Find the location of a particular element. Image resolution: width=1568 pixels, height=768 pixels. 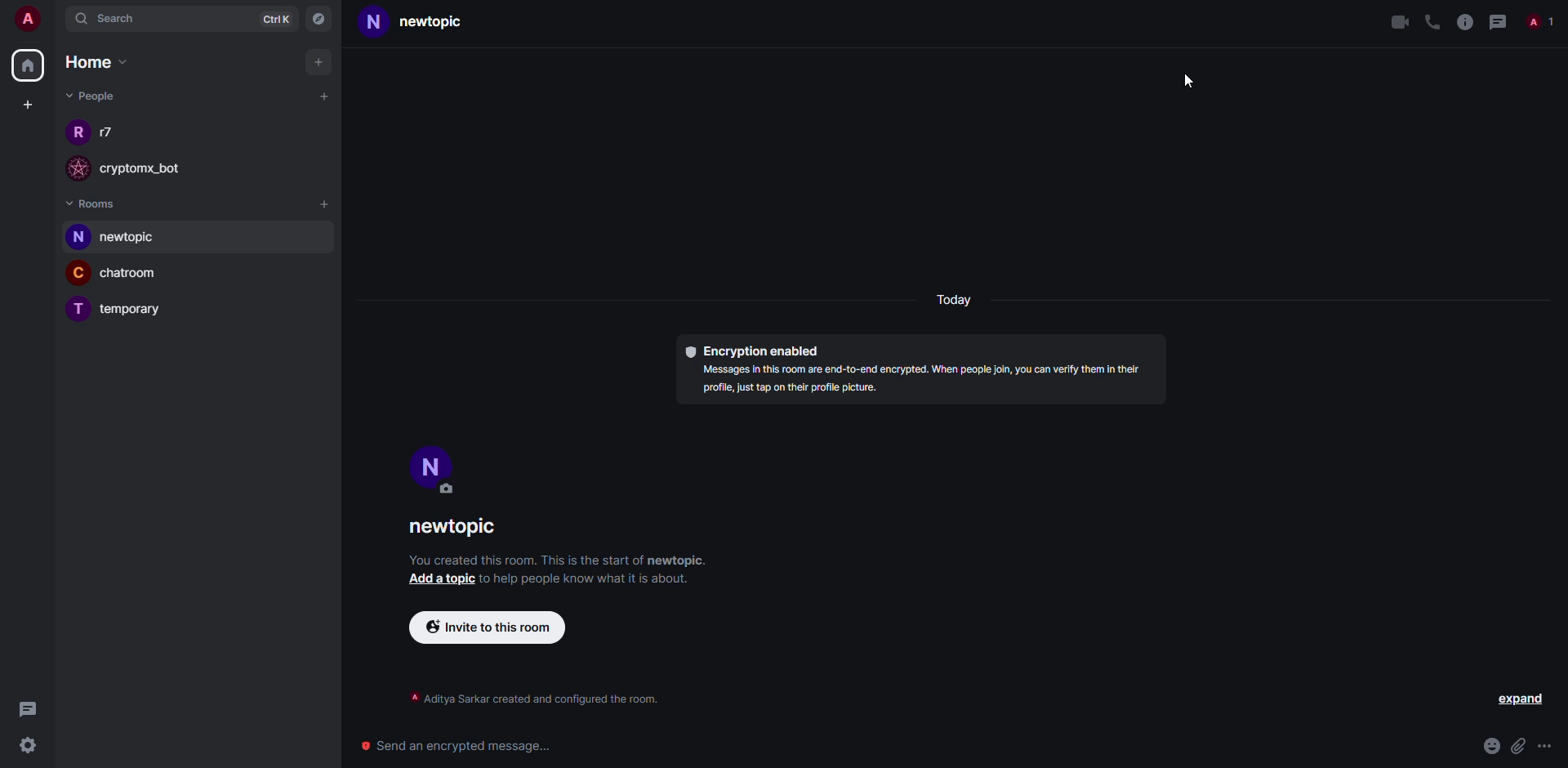

voice call is located at coordinates (1430, 22).